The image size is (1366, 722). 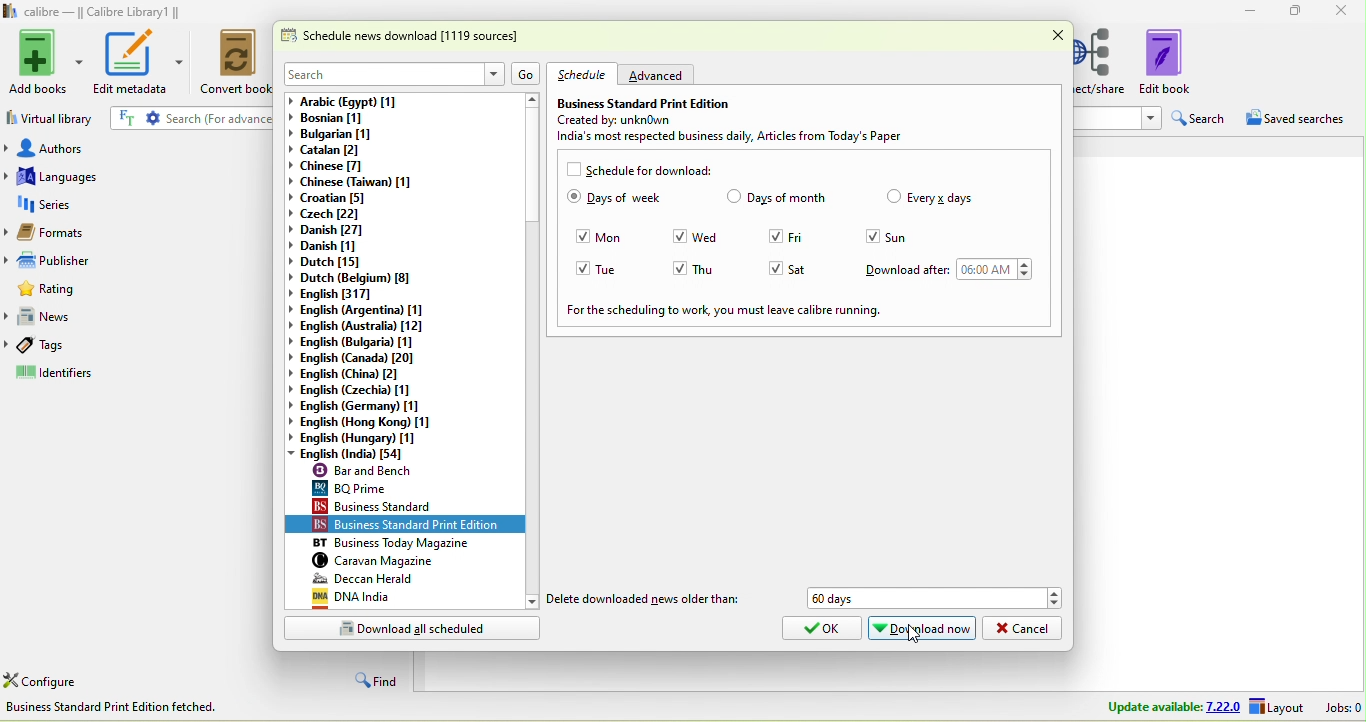 I want to click on Checkbox, so click(x=680, y=267).